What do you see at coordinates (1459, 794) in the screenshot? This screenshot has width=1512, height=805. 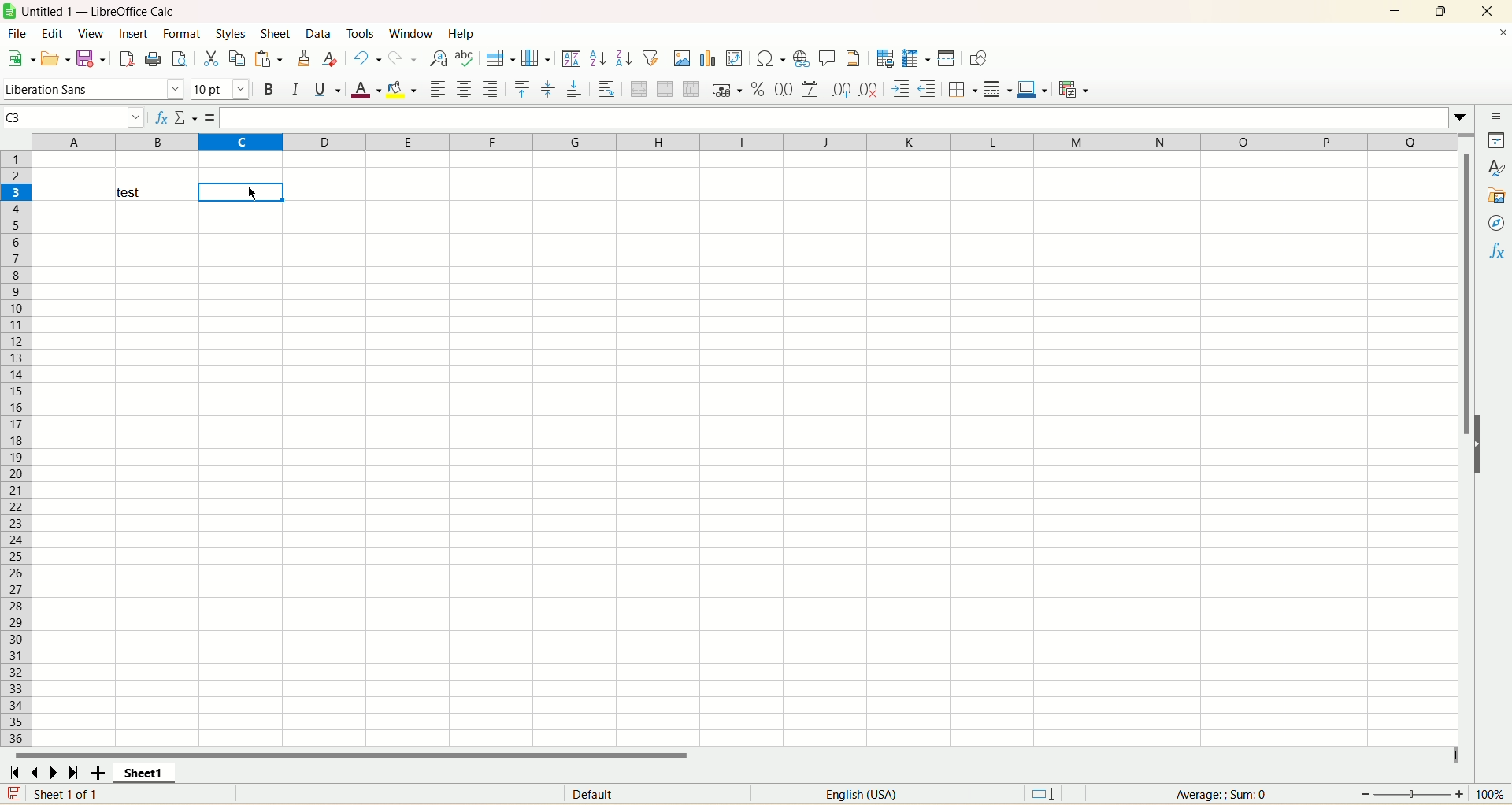 I see `Zoom in` at bounding box center [1459, 794].